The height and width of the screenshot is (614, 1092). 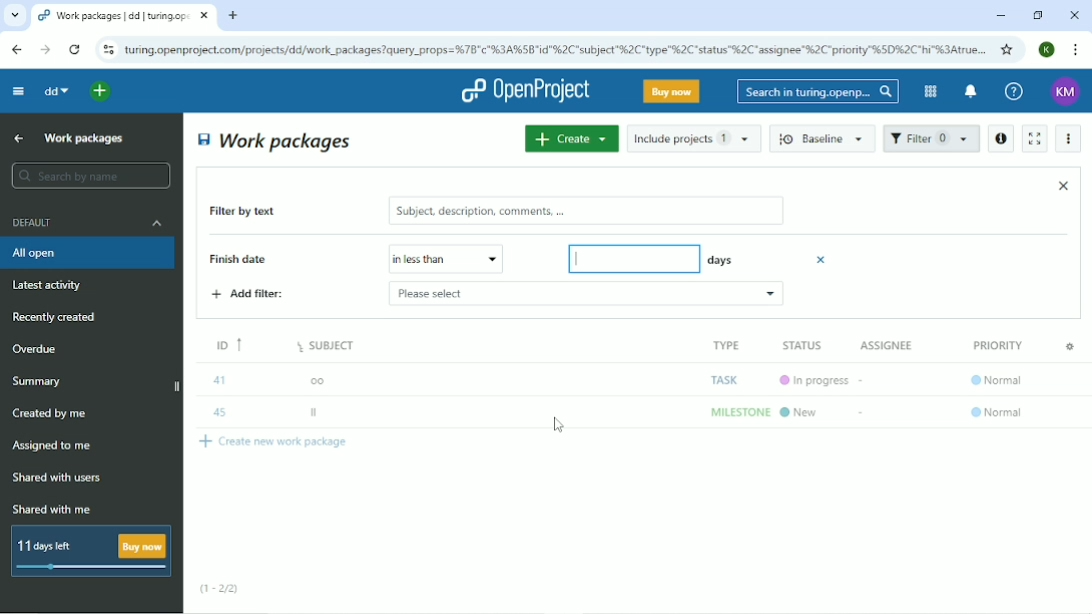 What do you see at coordinates (54, 509) in the screenshot?
I see `Shared with me` at bounding box center [54, 509].